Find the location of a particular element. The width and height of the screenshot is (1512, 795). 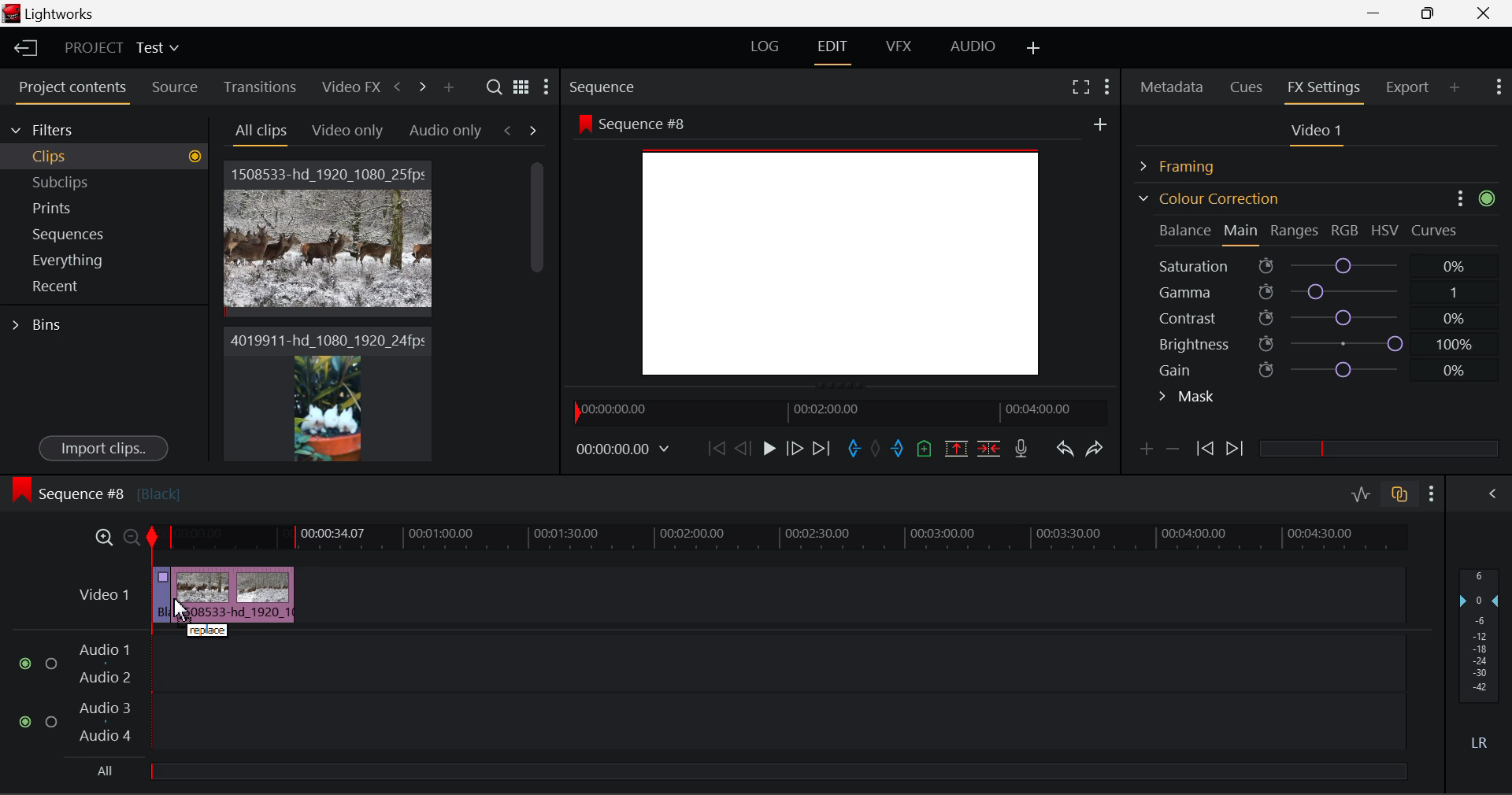

Go Forward is located at coordinates (795, 448).